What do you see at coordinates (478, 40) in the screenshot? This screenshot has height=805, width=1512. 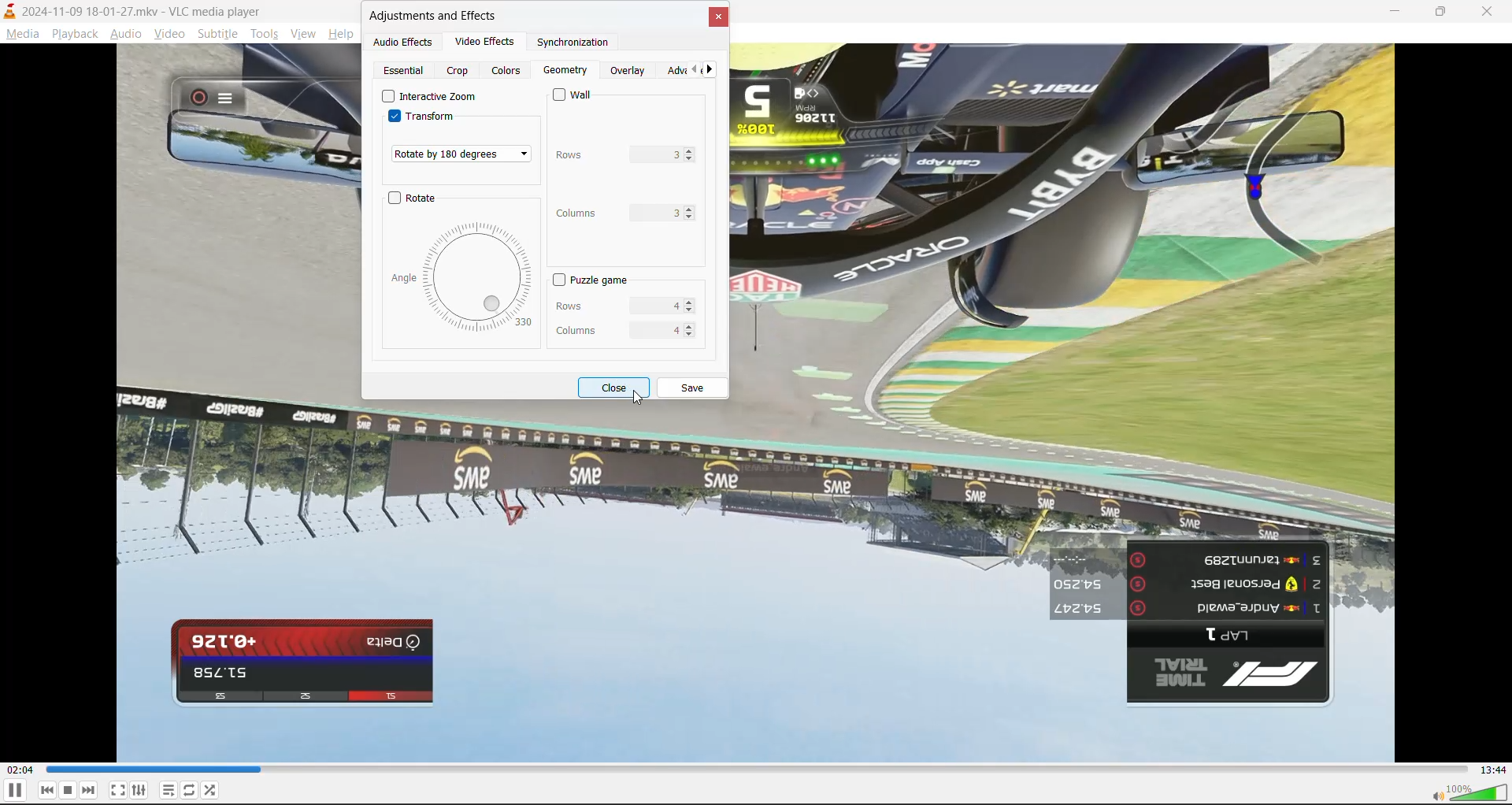 I see `video effects` at bounding box center [478, 40].